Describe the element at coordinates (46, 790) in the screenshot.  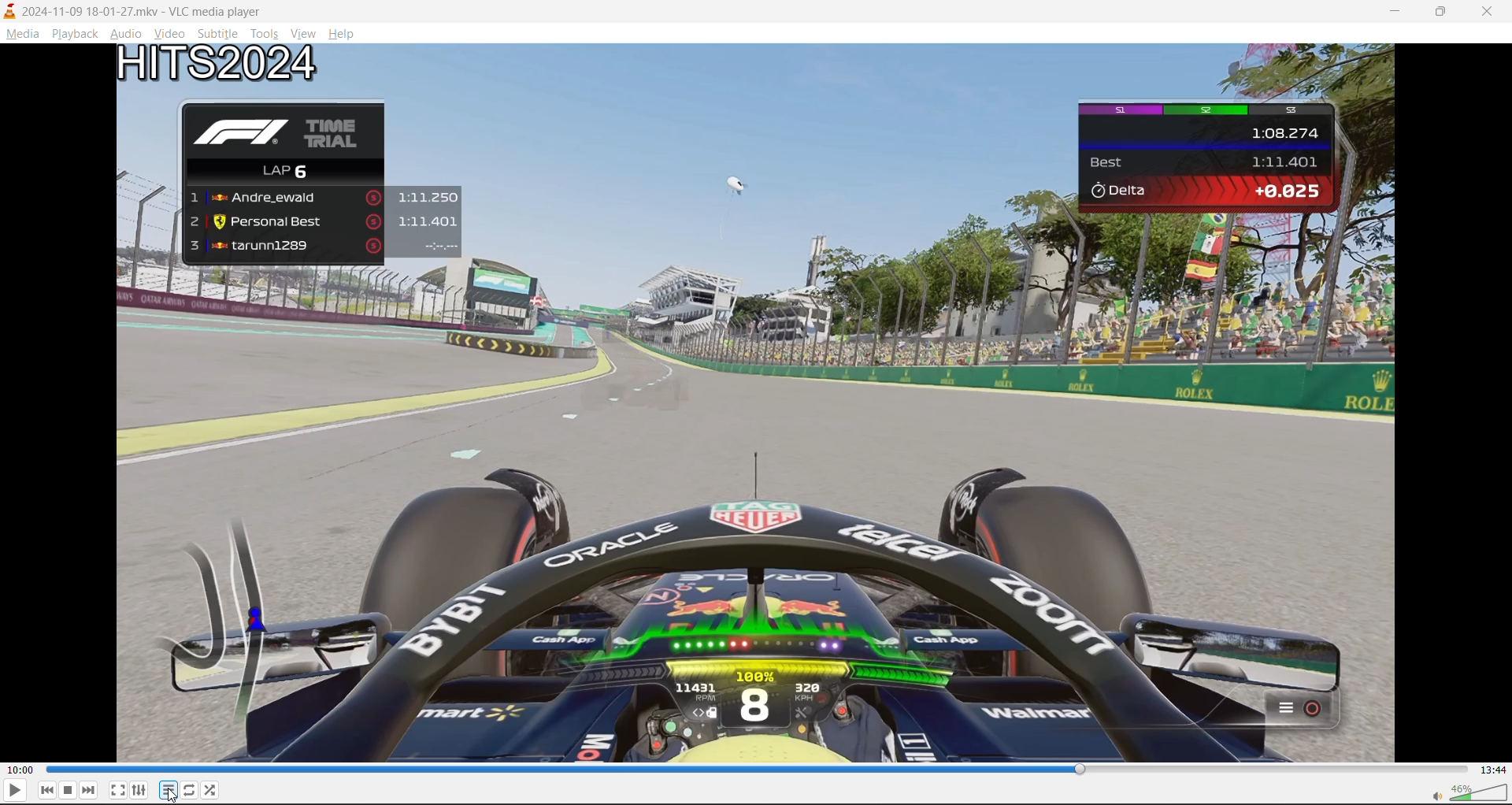
I see `previous` at that location.